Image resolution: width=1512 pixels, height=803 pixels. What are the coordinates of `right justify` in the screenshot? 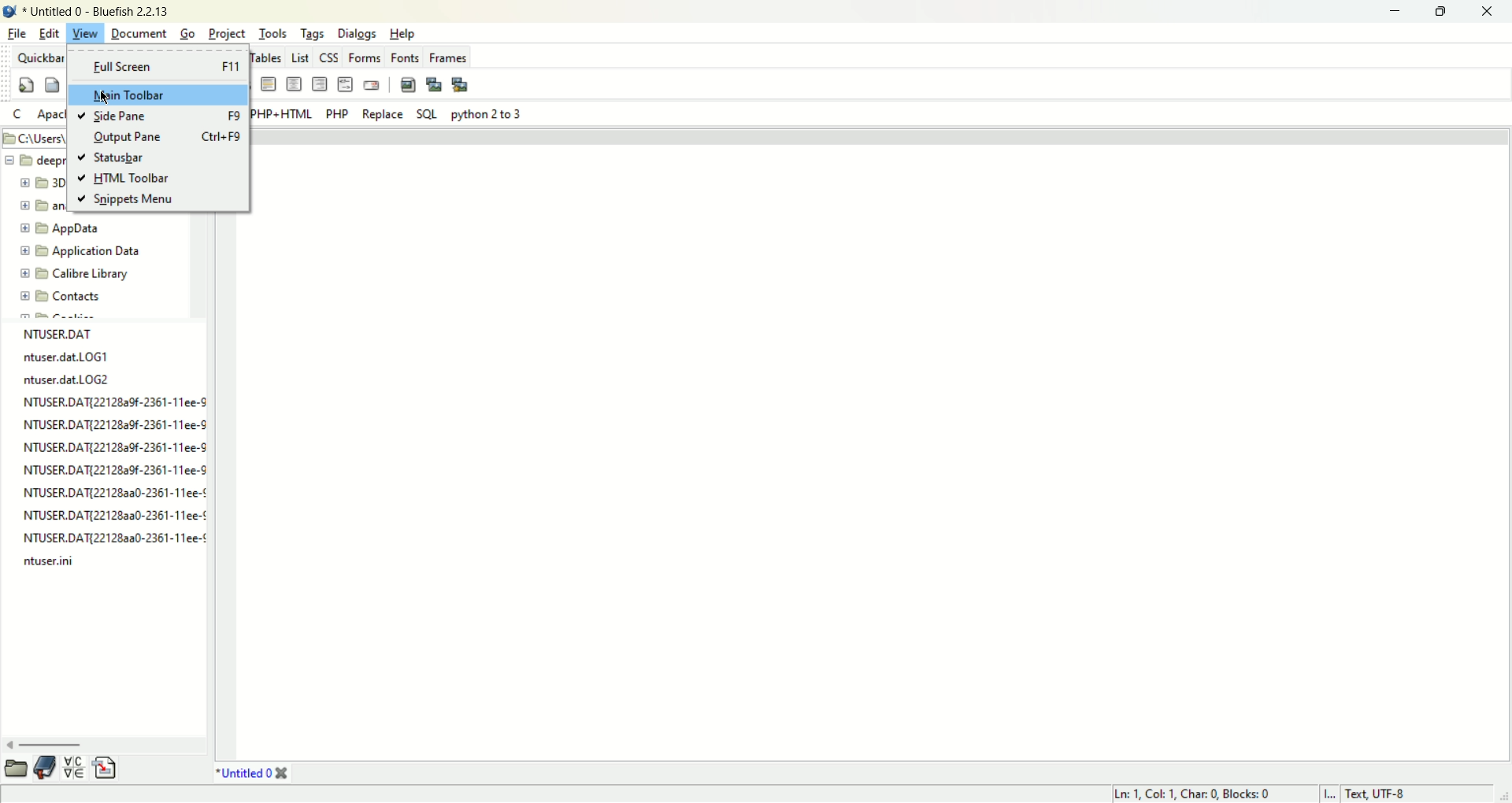 It's located at (319, 83).